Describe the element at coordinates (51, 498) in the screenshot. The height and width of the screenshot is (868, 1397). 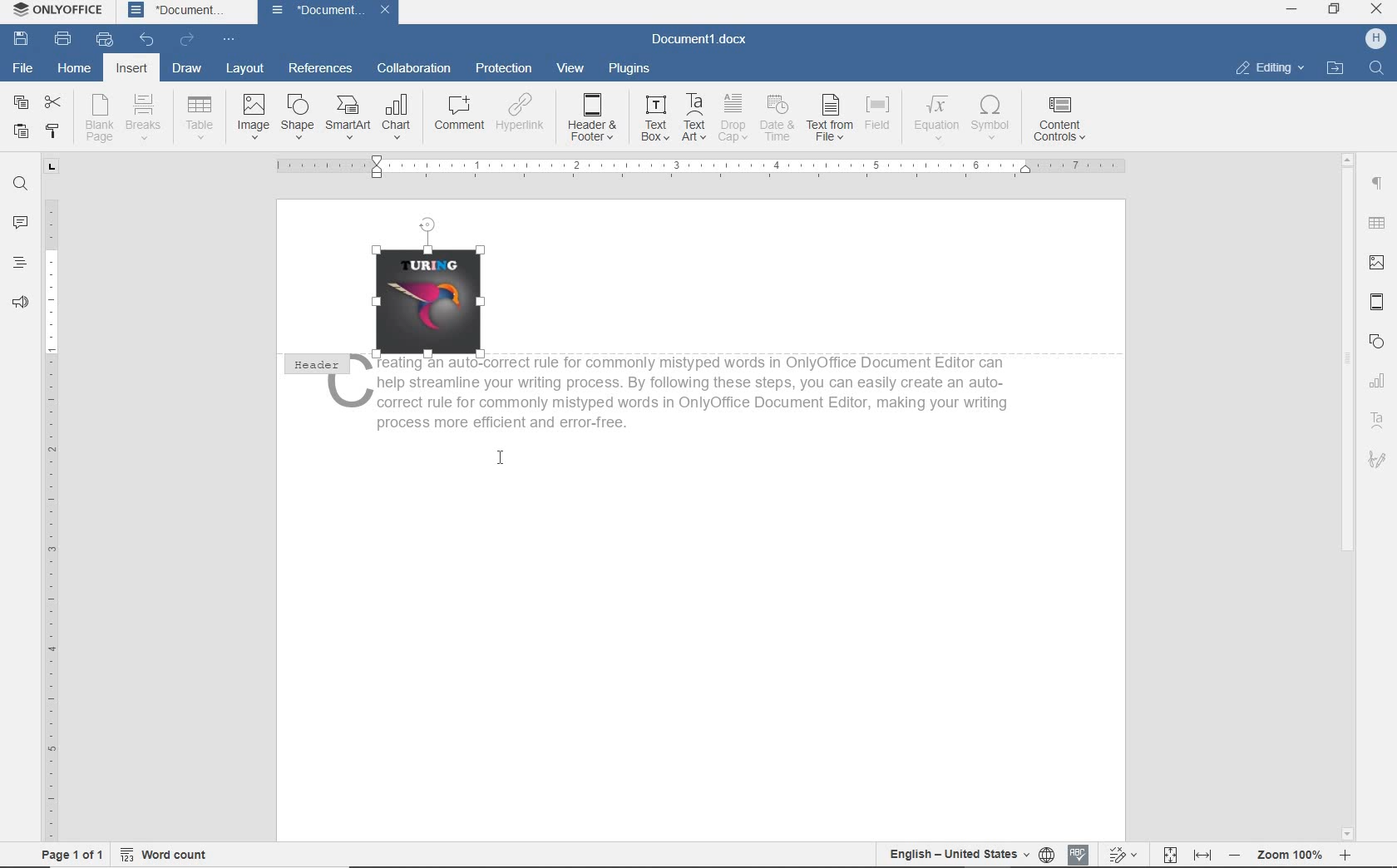
I see `RULER` at that location.